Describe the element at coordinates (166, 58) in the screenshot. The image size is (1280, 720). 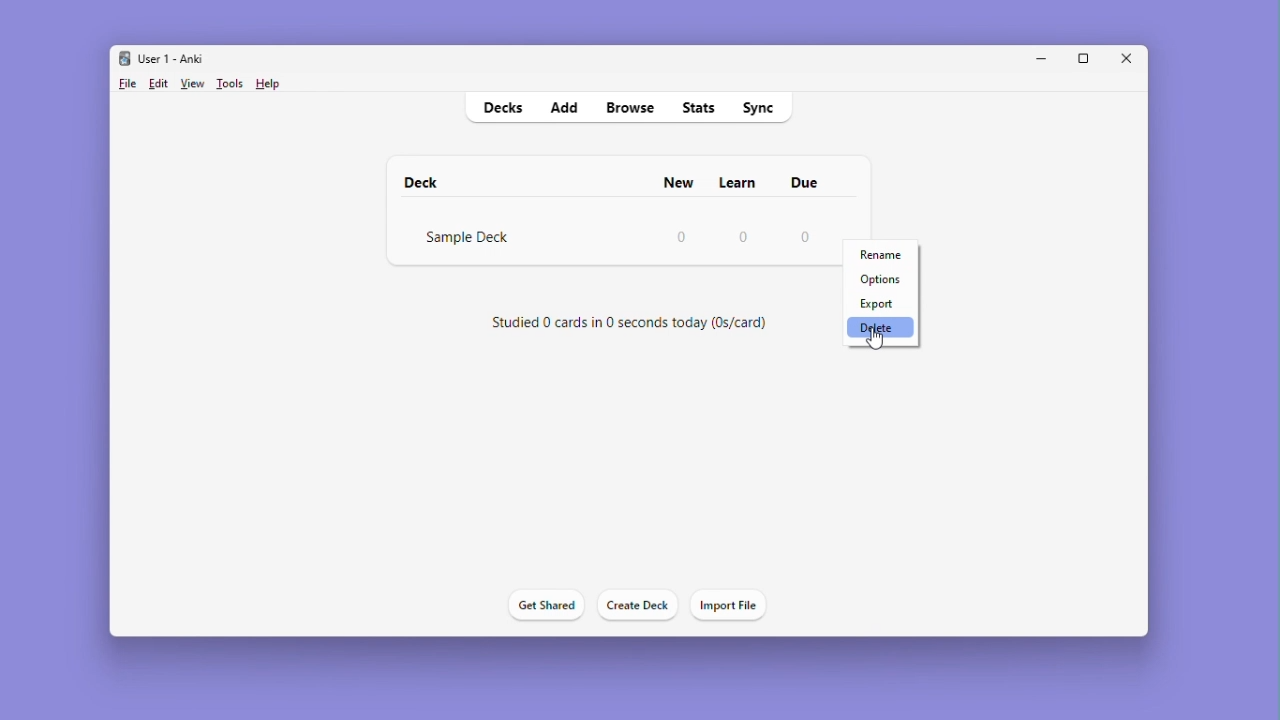
I see `User 1 - Anki` at that location.